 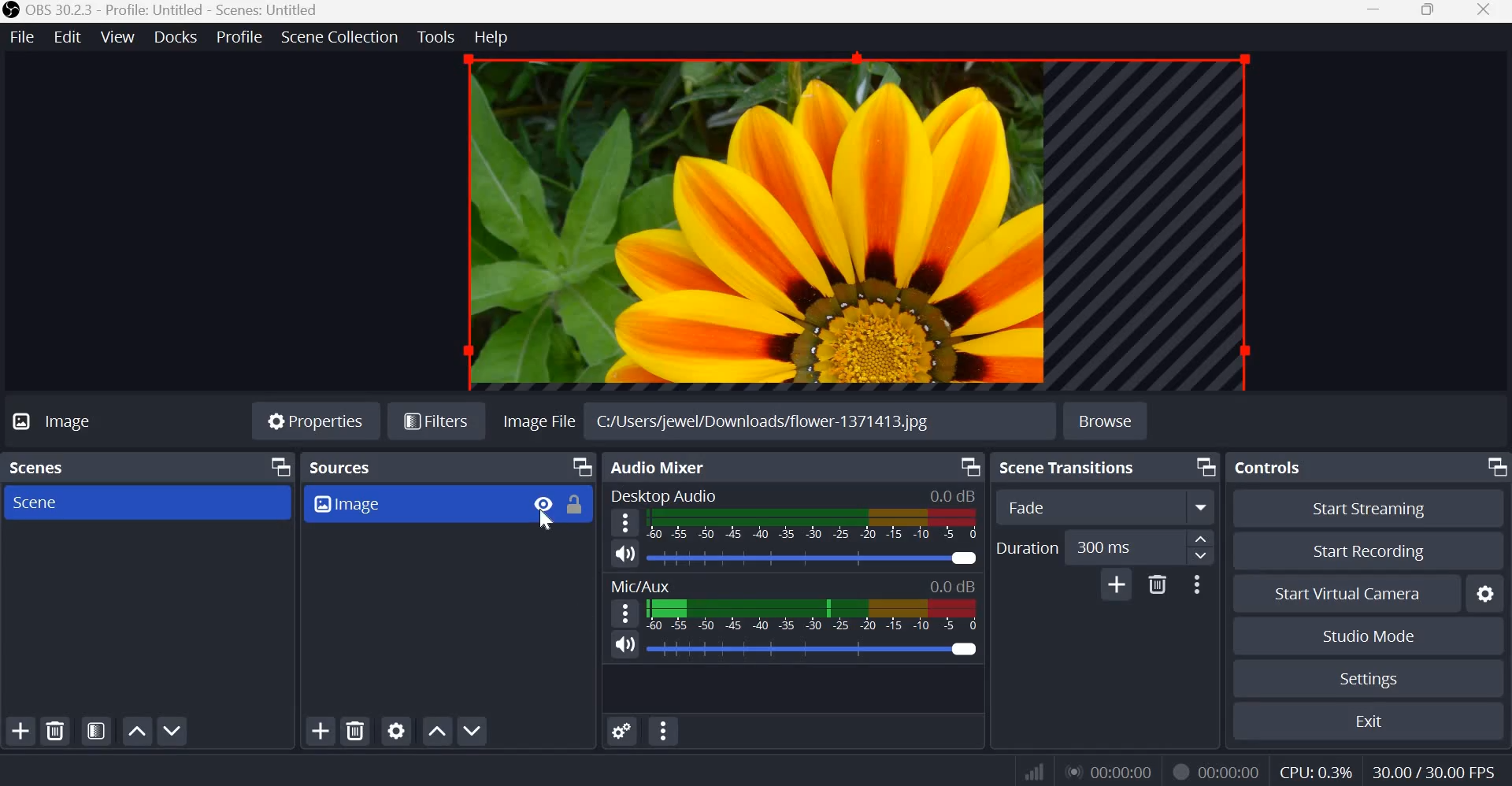 What do you see at coordinates (624, 613) in the screenshot?
I see `hamburger menu` at bounding box center [624, 613].